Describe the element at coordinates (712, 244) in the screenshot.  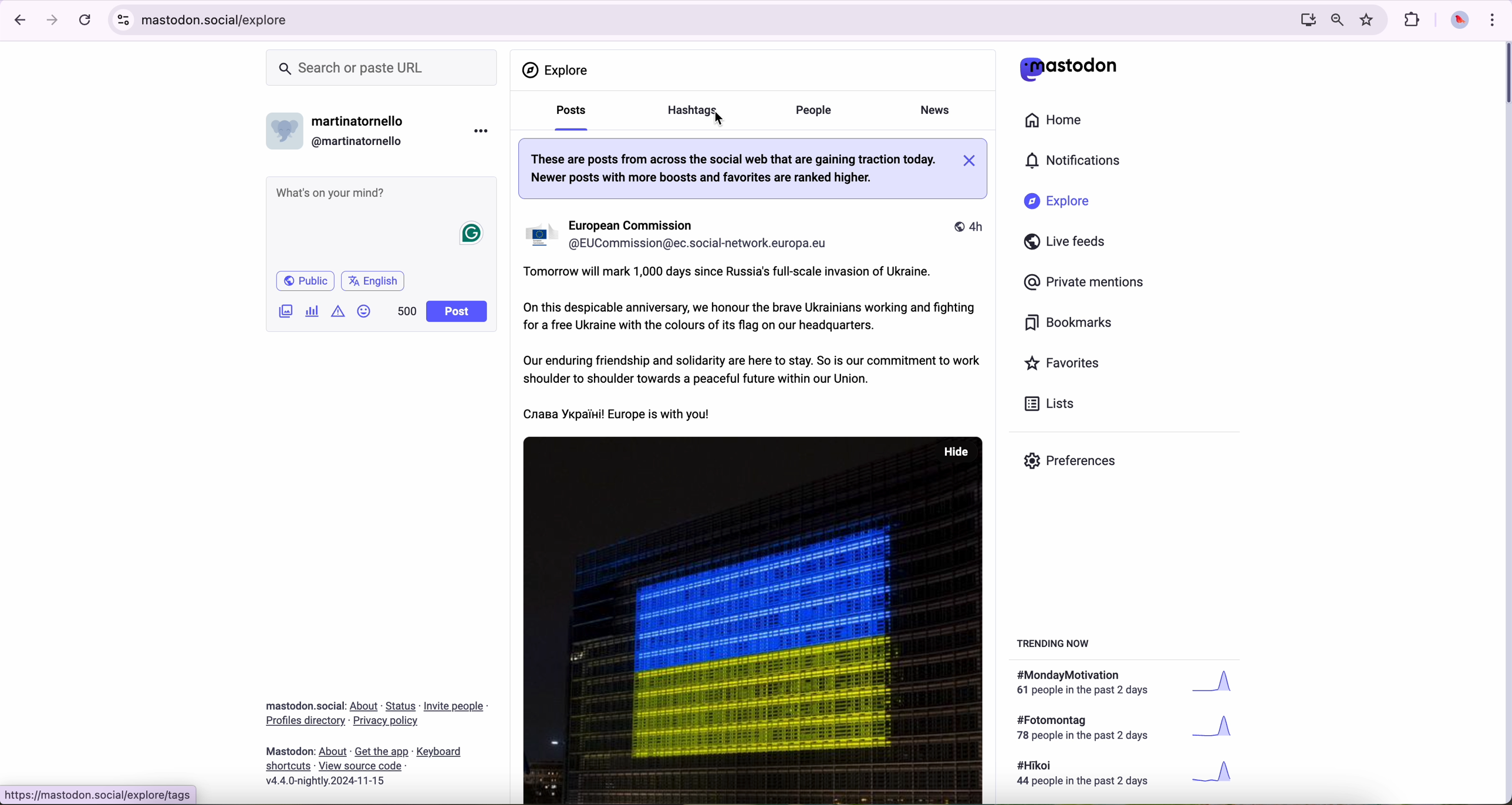
I see `user id` at that location.